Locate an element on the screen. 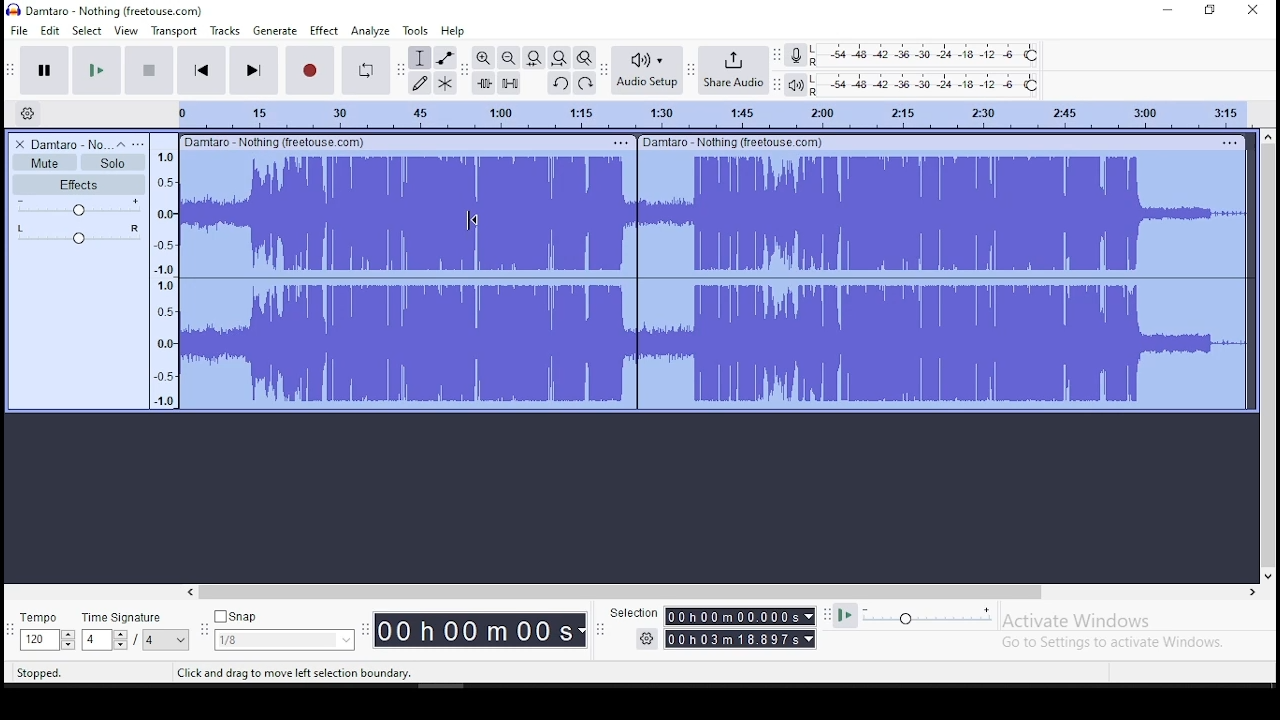 Image resolution: width=1280 pixels, height=720 pixels. file is located at coordinates (18, 29).